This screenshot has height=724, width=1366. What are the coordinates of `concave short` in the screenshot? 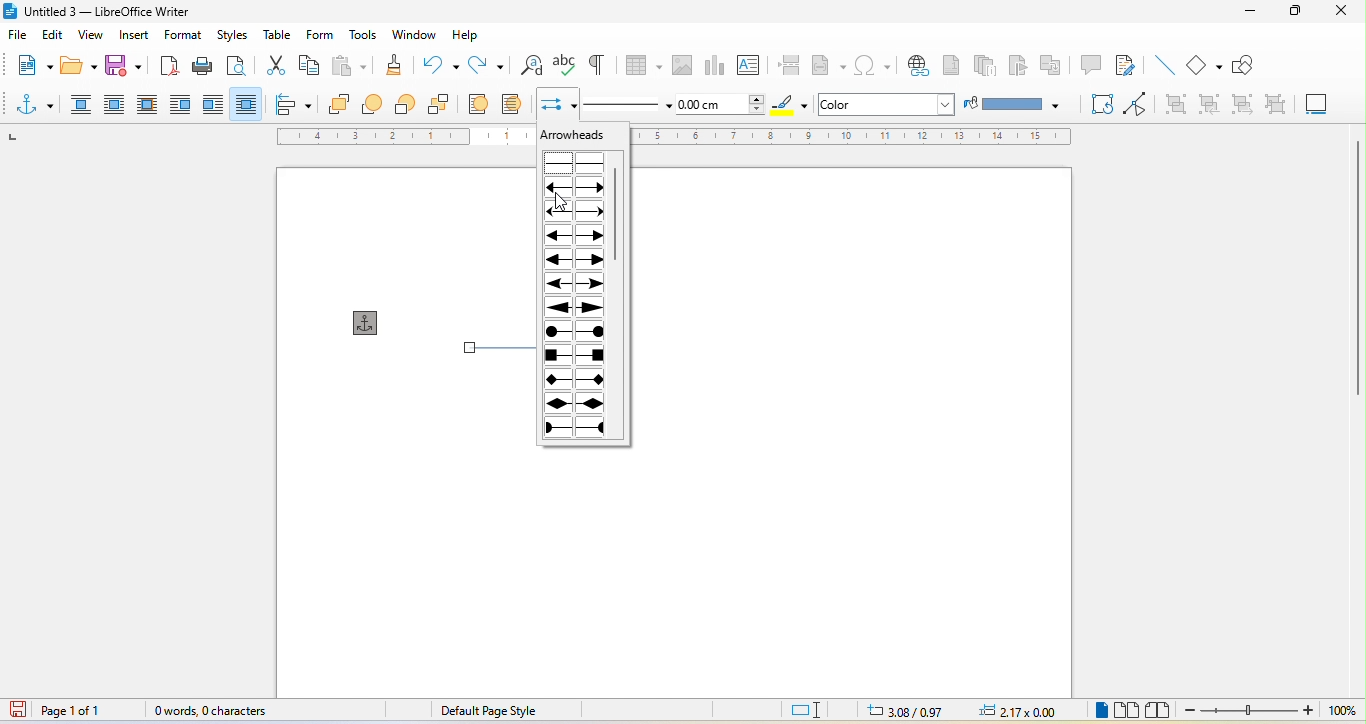 It's located at (577, 212).